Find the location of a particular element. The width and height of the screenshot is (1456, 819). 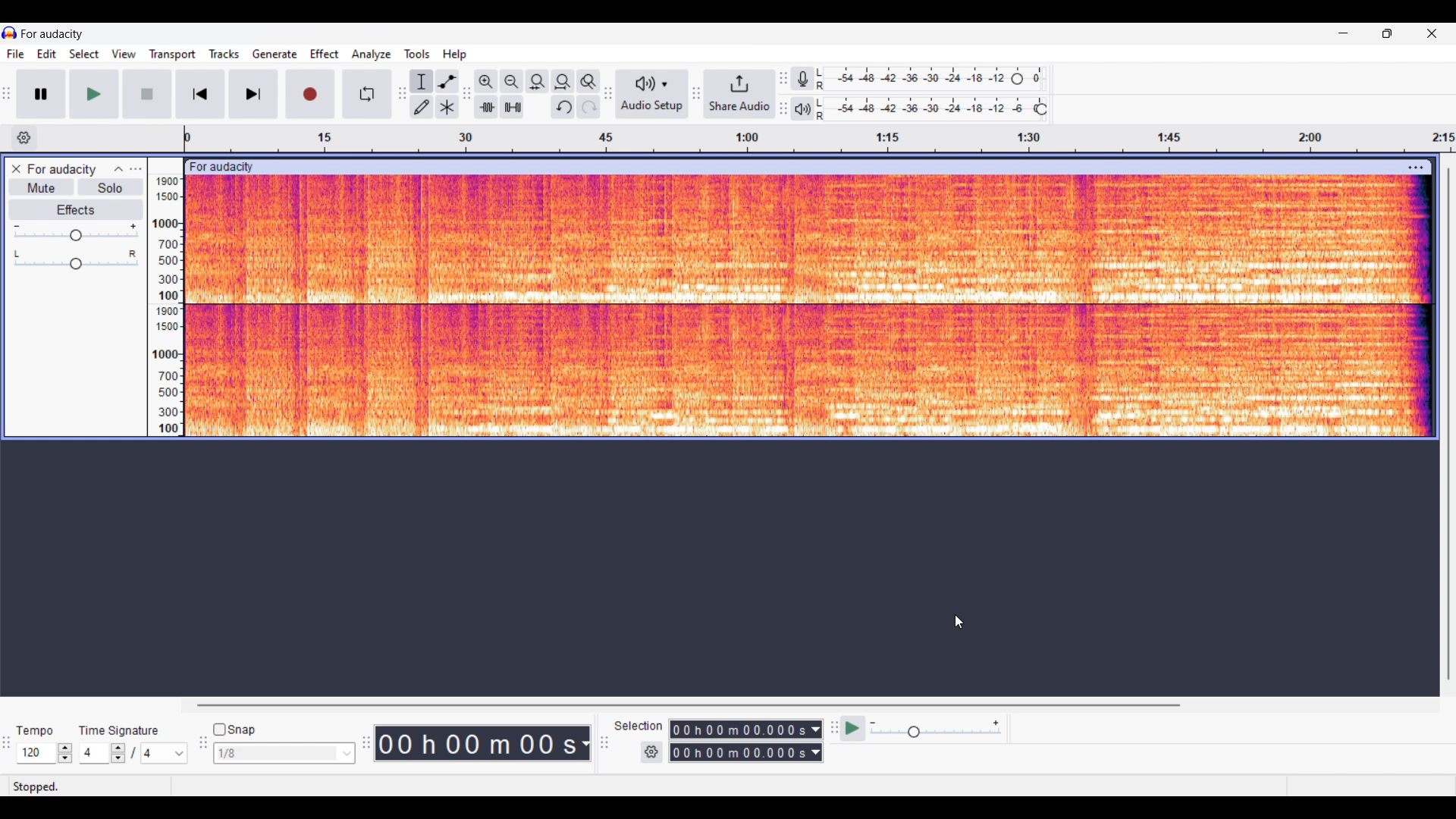

Skip/Select to end is located at coordinates (253, 94).